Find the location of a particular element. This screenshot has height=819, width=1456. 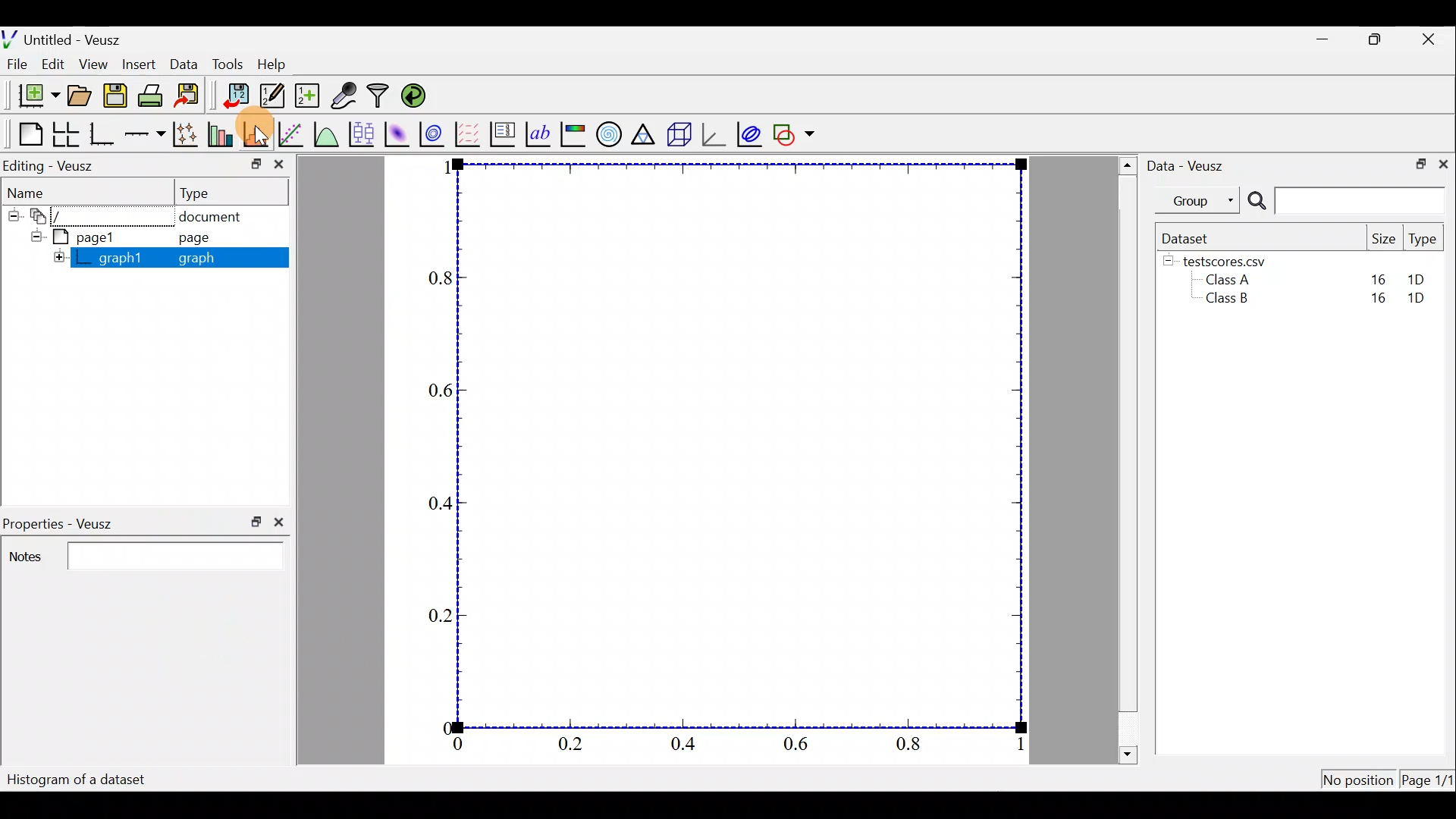

Insert is located at coordinates (135, 62).